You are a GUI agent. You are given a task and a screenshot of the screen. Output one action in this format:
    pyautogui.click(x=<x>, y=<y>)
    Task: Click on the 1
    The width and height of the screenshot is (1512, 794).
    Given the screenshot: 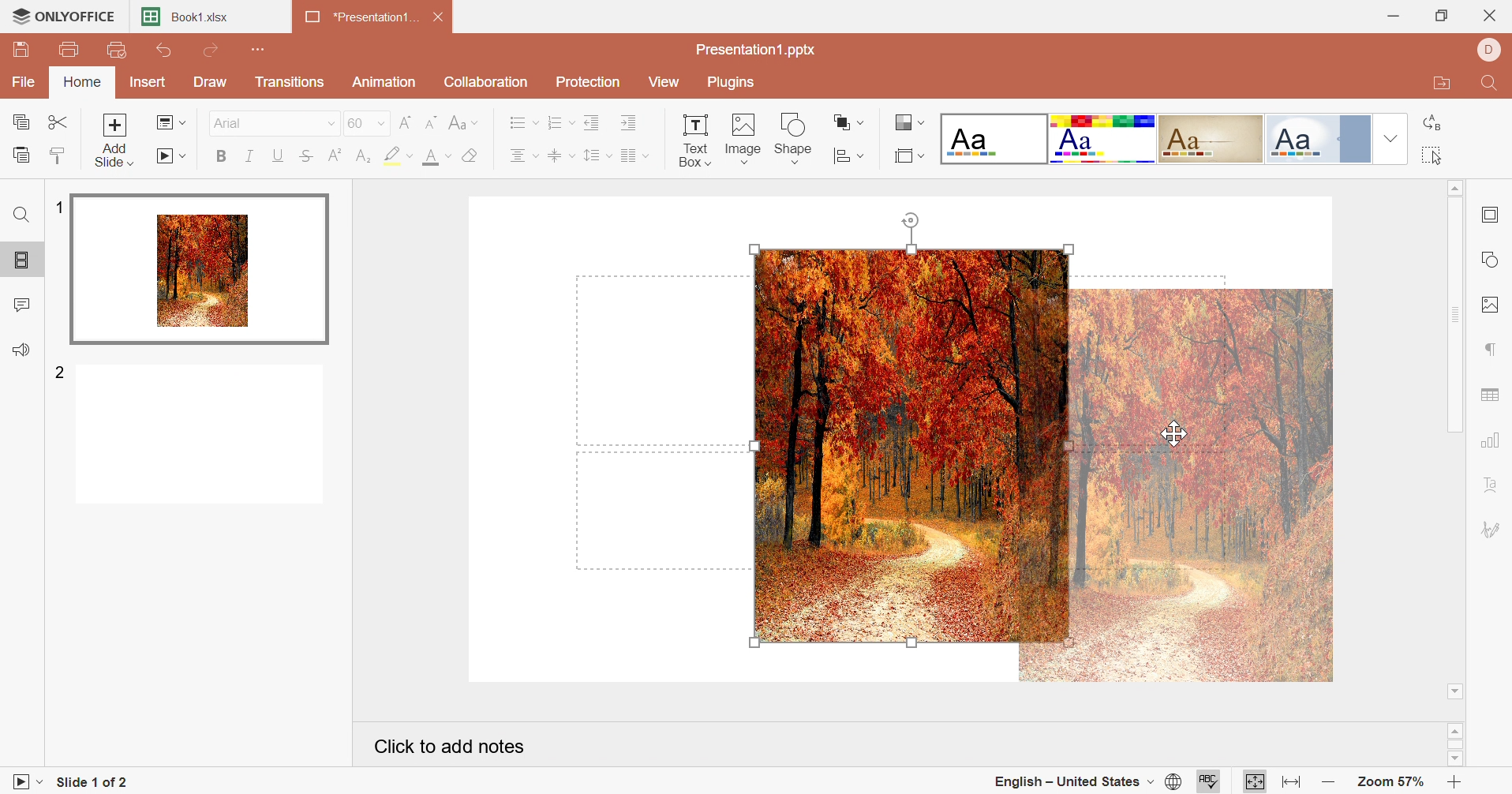 What is the action you would take?
    pyautogui.click(x=59, y=207)
    